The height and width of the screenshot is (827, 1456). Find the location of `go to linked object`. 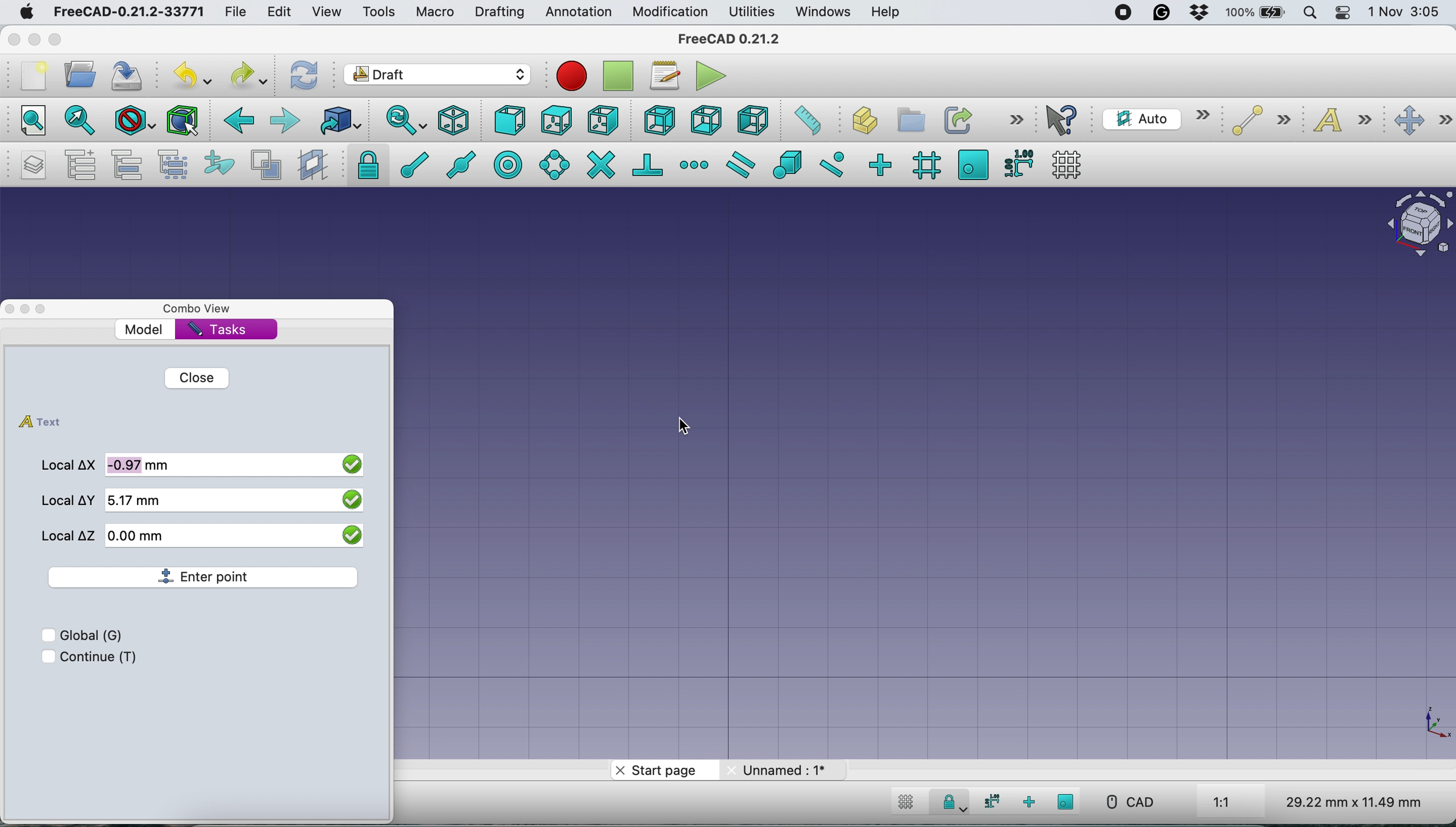

go to linked object is located at coordinates (338, 120).